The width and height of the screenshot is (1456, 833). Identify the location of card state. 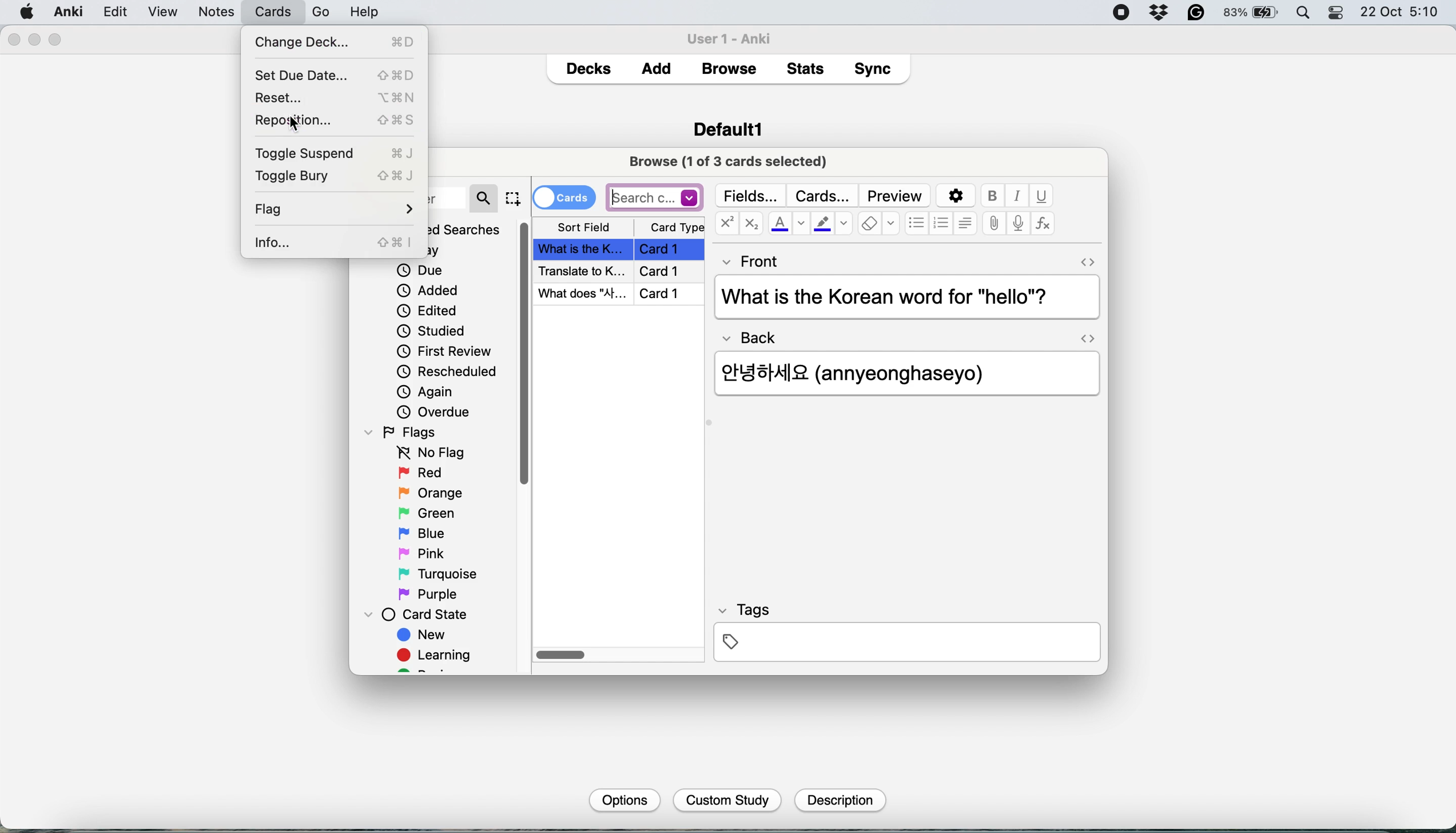
(421, 614).